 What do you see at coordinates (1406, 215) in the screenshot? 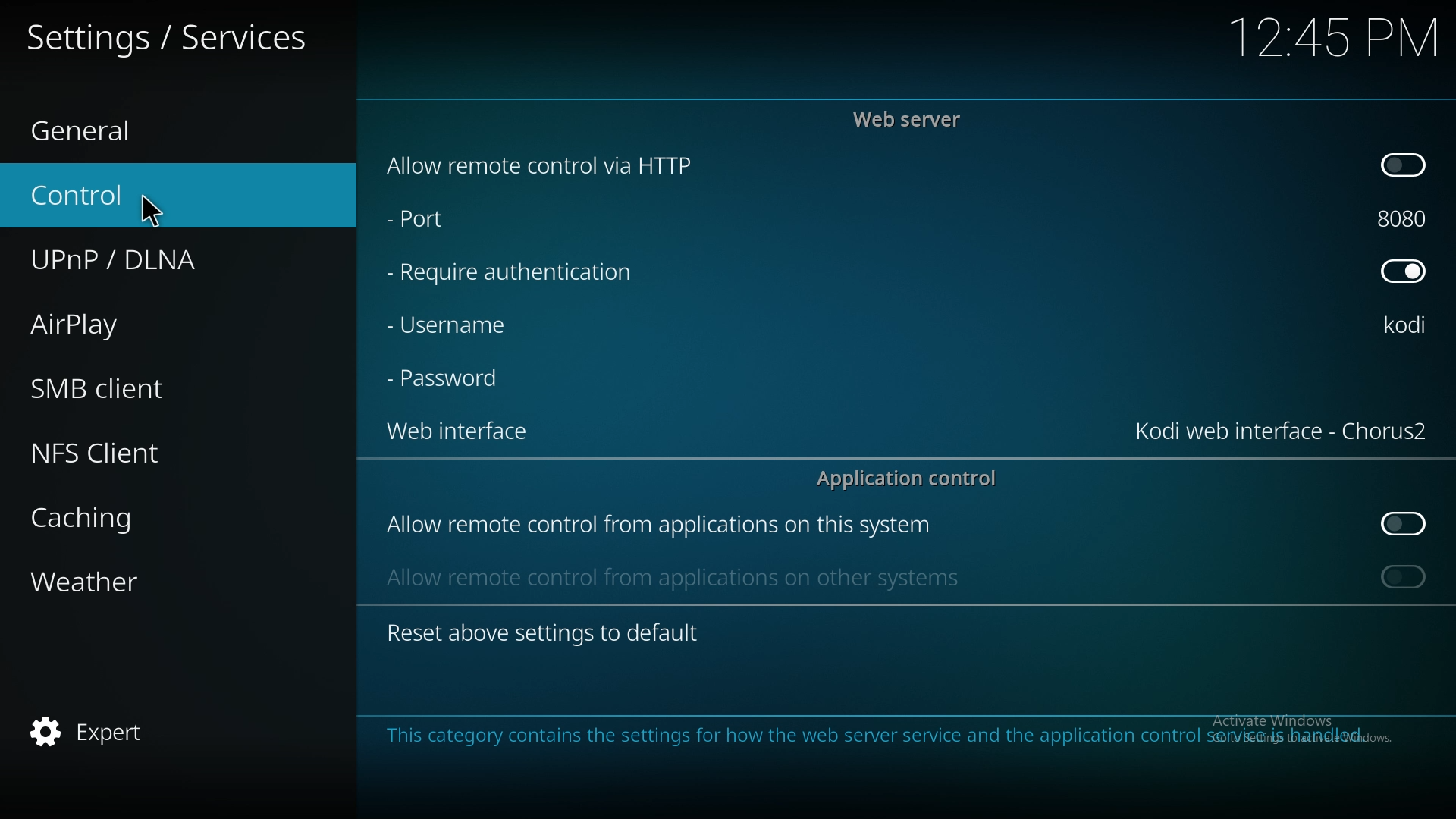
I see `port number` at bounding box center [1406, 215].